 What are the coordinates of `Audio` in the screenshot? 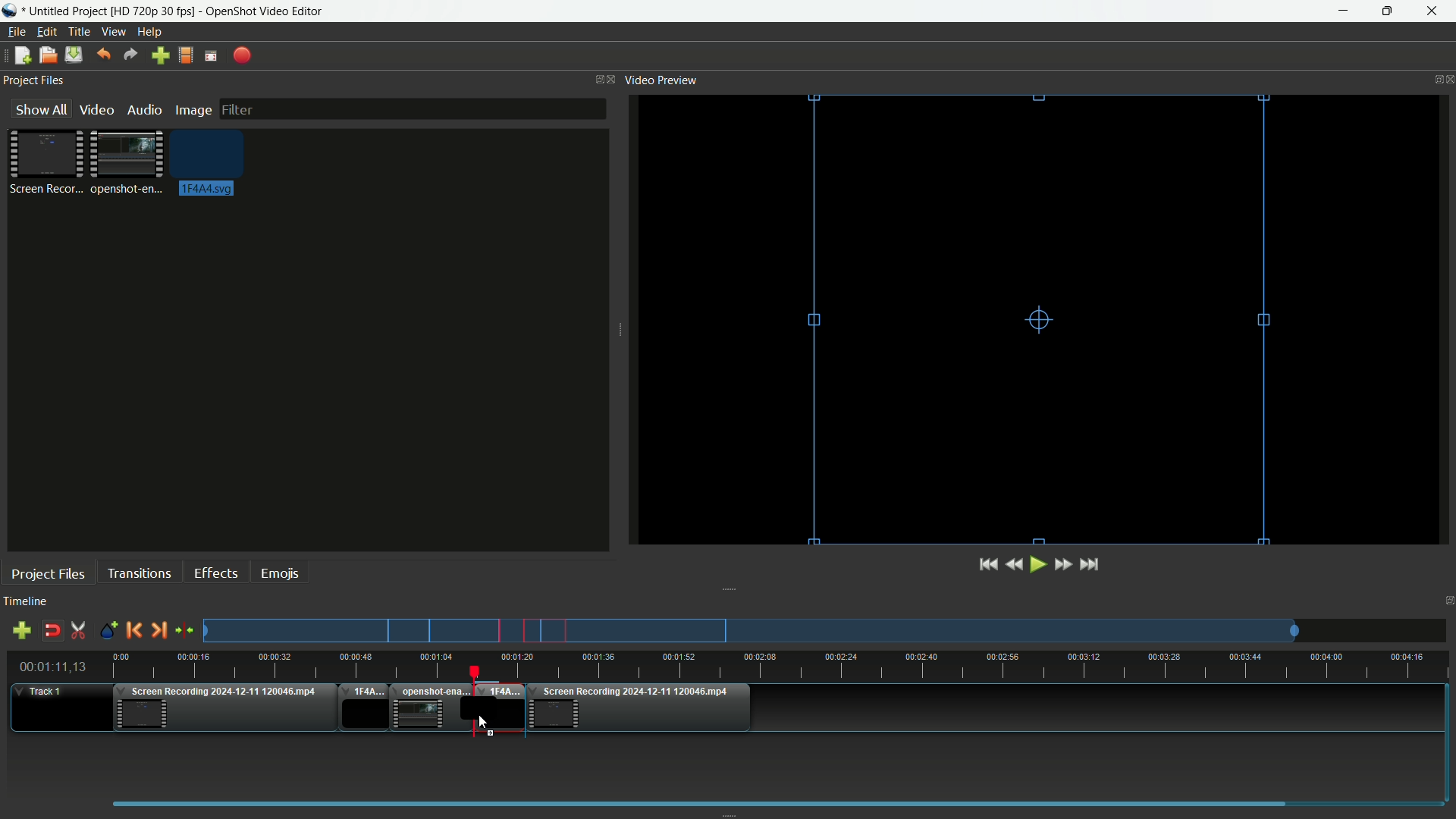 It's located at (144, 110).